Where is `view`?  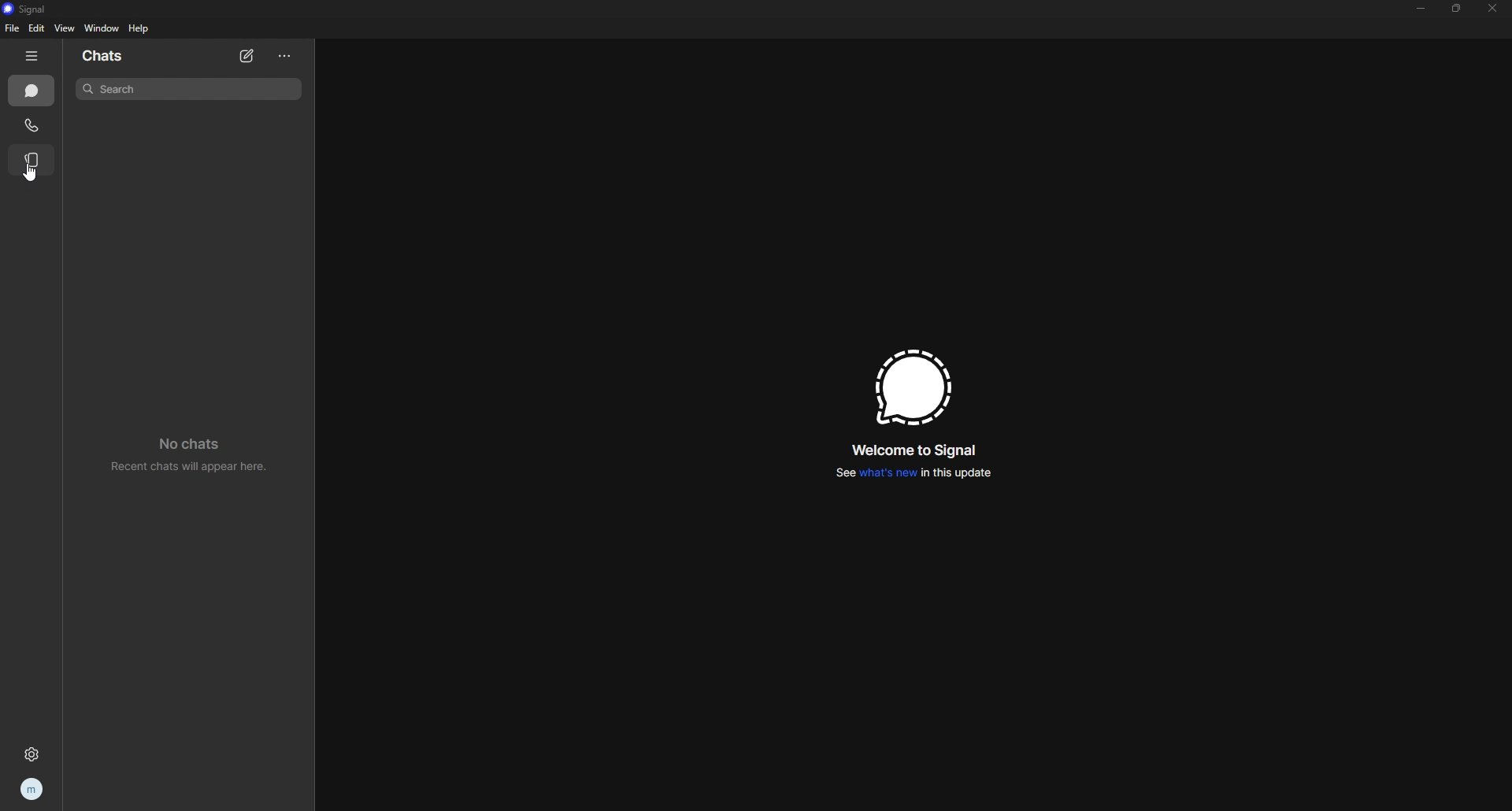
view is located at coordinates (64, 28).